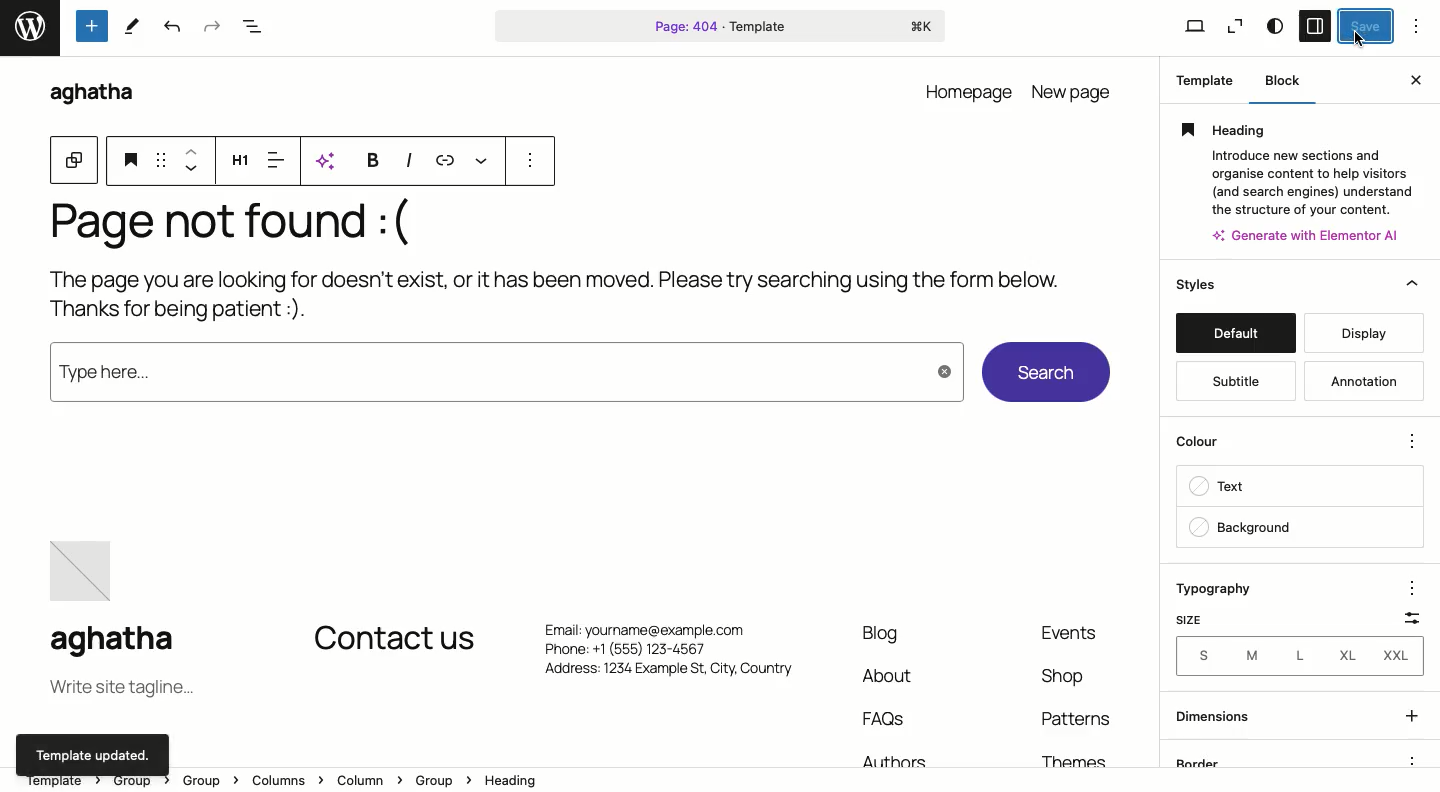 The height and width of the screenshot is (792, 1440). What do you see at coordinates (94, 752) in the screenshot?
I see `Template customized and updated` at bounding box center [94, 752].